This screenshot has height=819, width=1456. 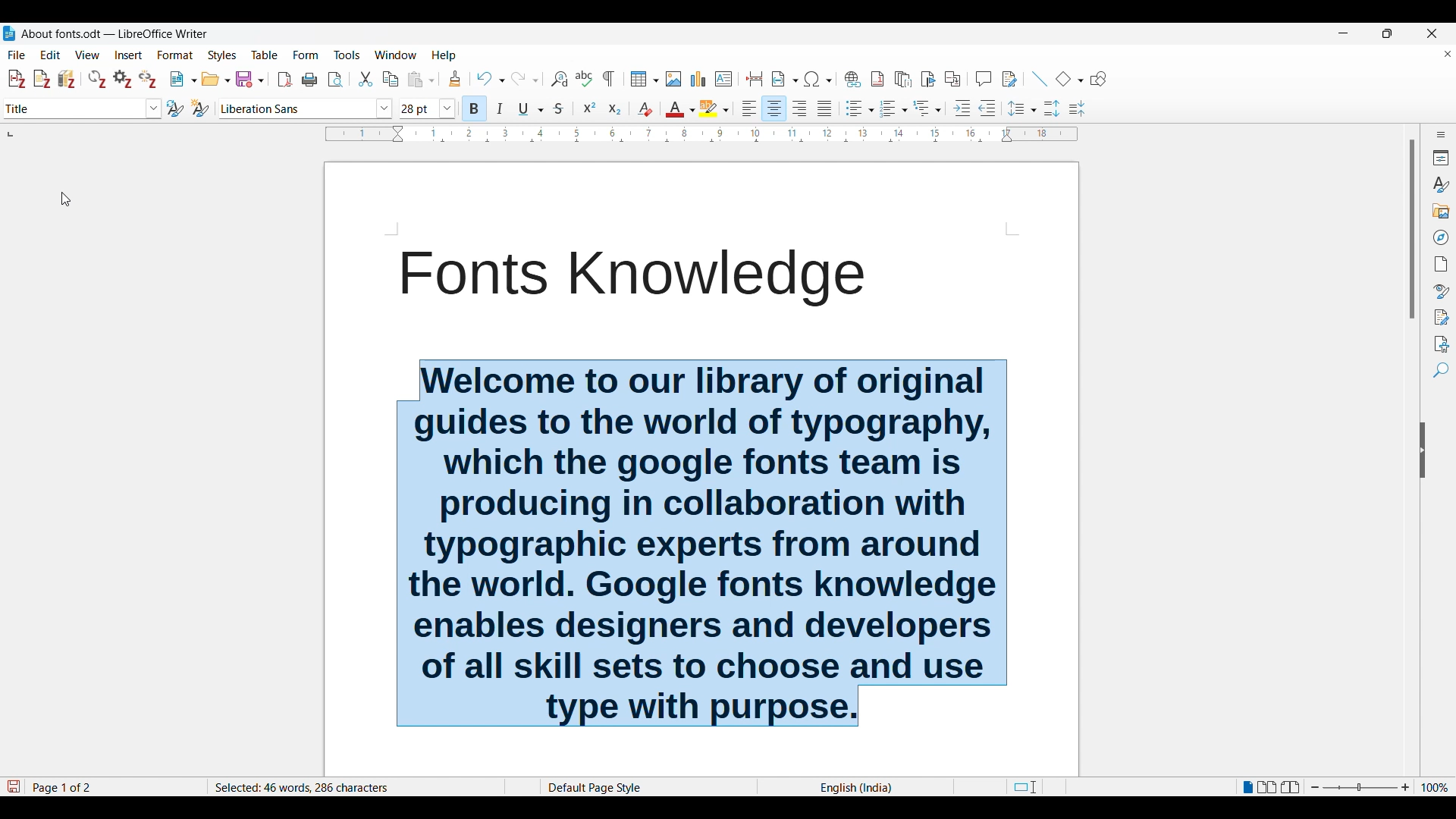 I want to click on Show in smaller tab, so click(x=1388, y=33).